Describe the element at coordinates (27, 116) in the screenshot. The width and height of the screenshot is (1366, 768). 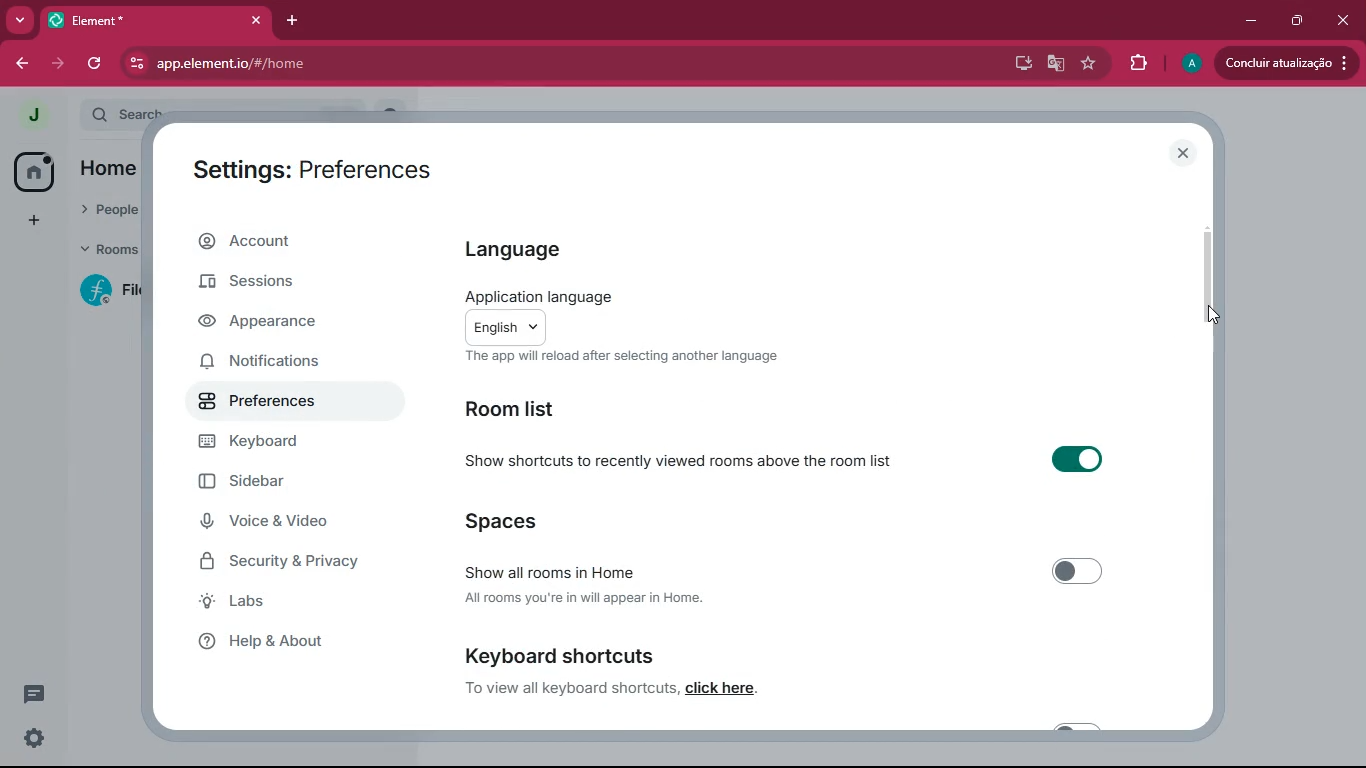
I see `profile picture` at that location.